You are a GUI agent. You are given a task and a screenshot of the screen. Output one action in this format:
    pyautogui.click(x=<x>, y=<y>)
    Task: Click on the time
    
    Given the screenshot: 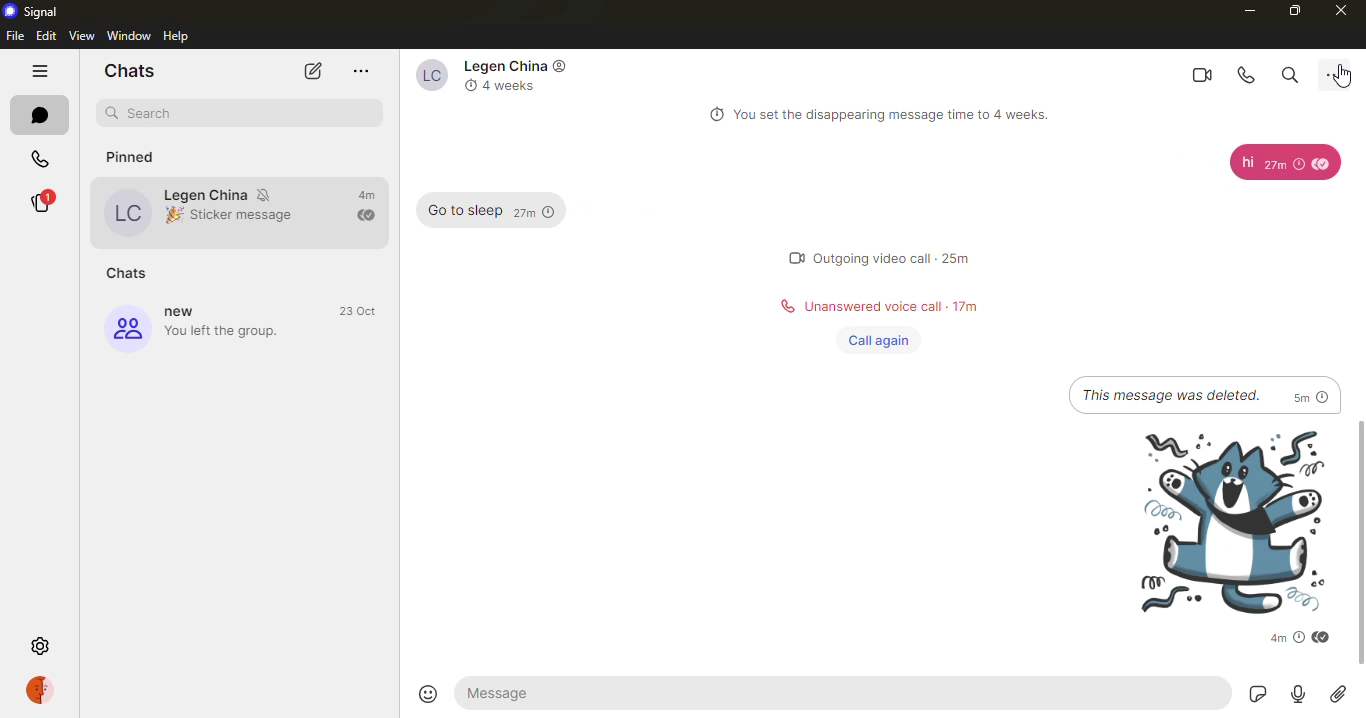 What is the action you would take?
    pyautogui.click(x=1279, y=638)
    